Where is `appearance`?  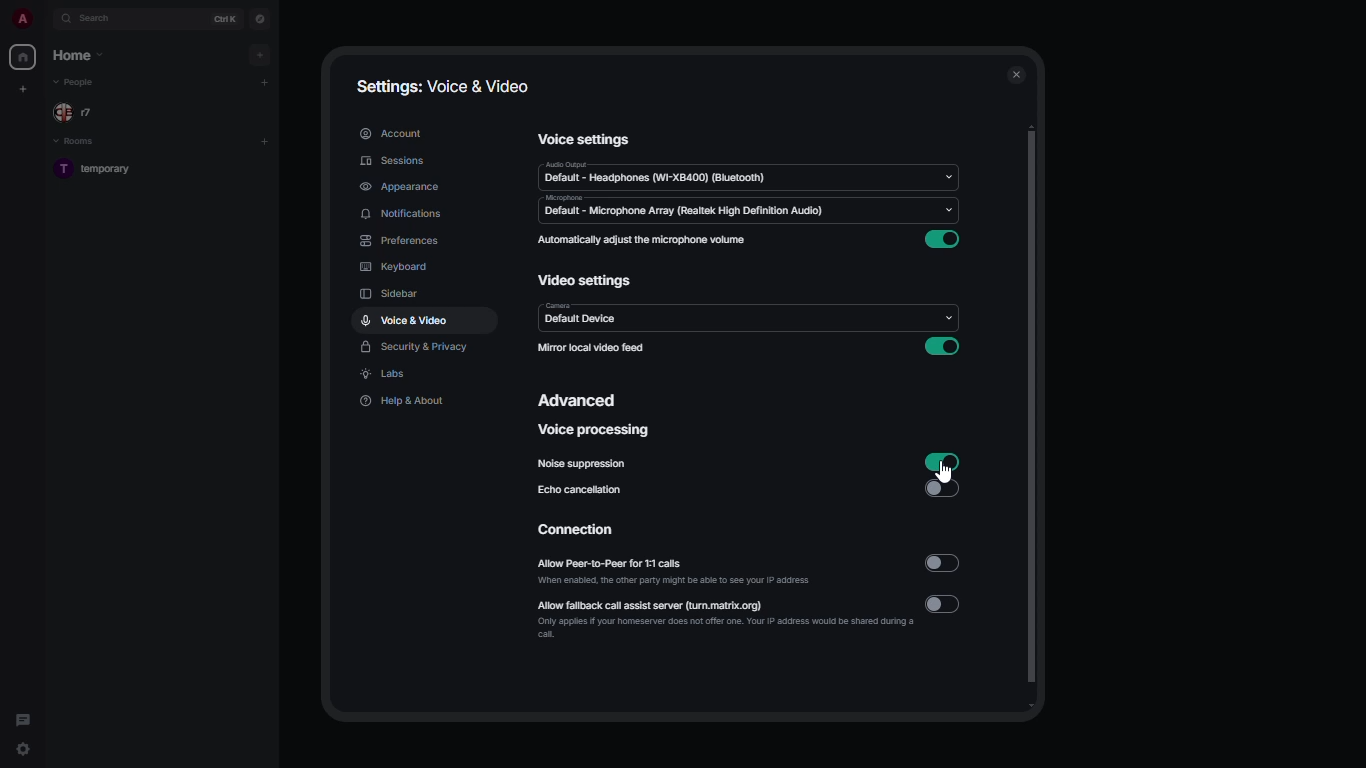 appearance is located at coordinates (398, 184).